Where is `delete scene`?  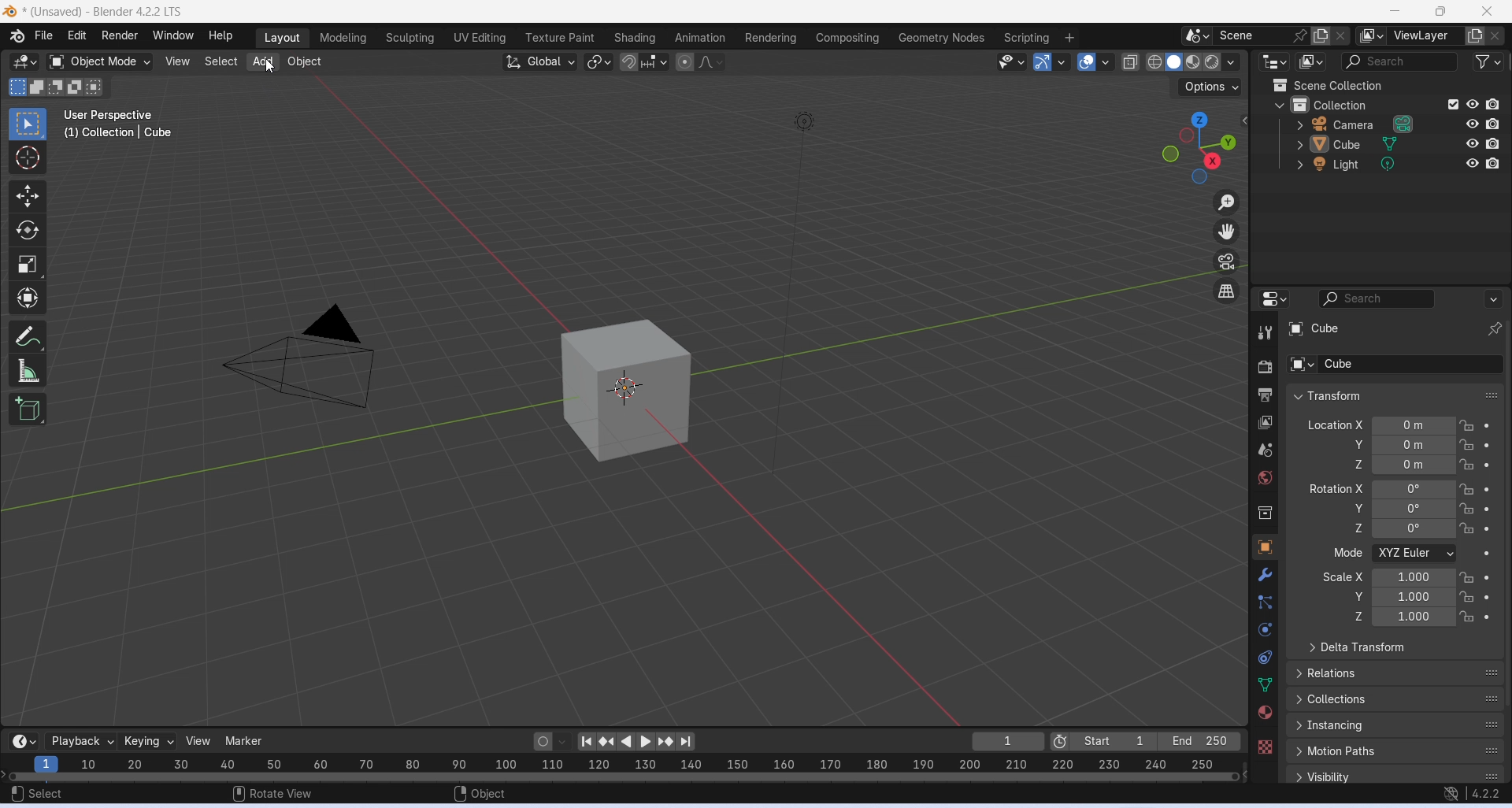
delete scene is located at coordinates (1341, 35).